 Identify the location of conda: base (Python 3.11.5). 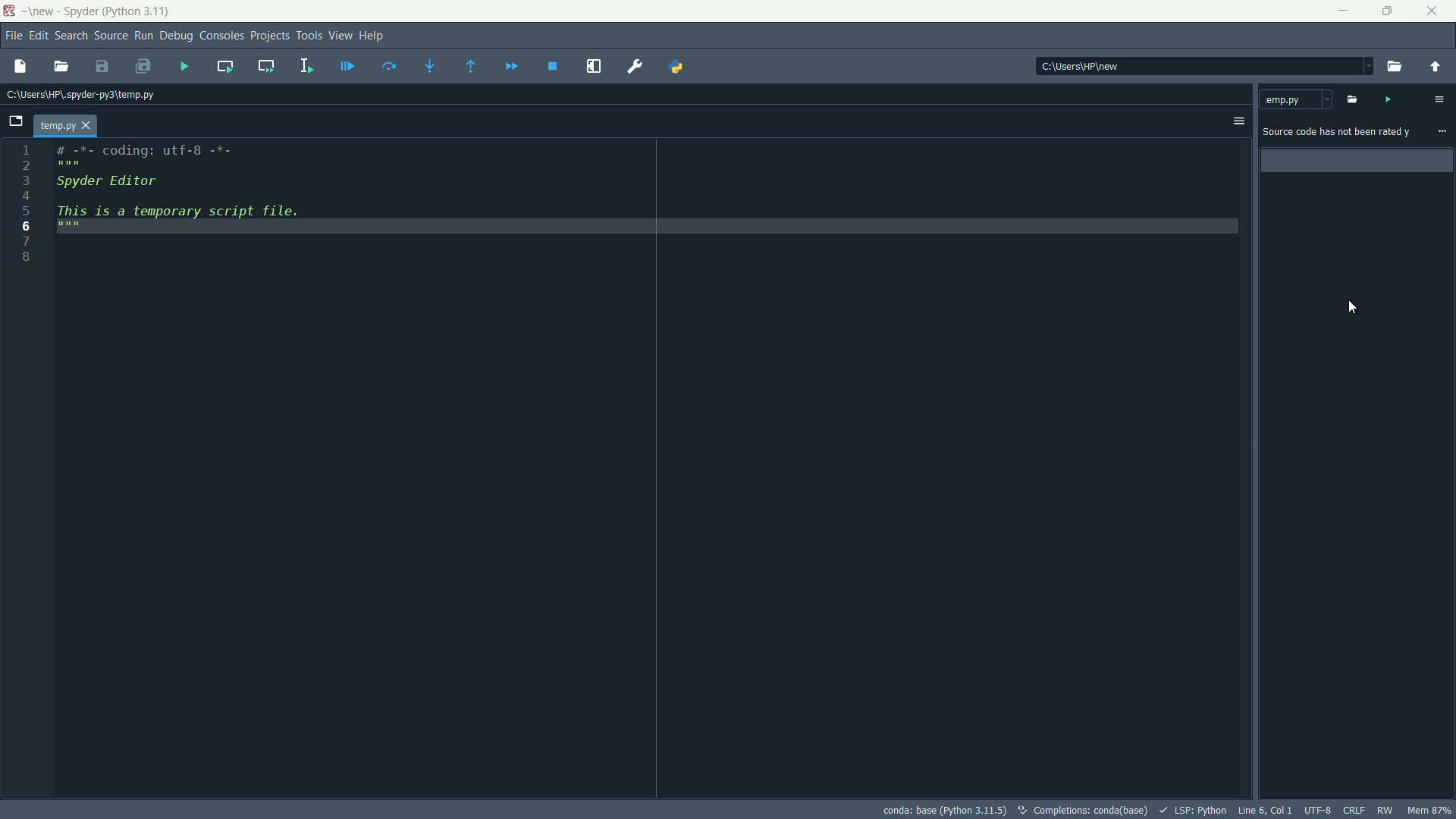
(941, 810).